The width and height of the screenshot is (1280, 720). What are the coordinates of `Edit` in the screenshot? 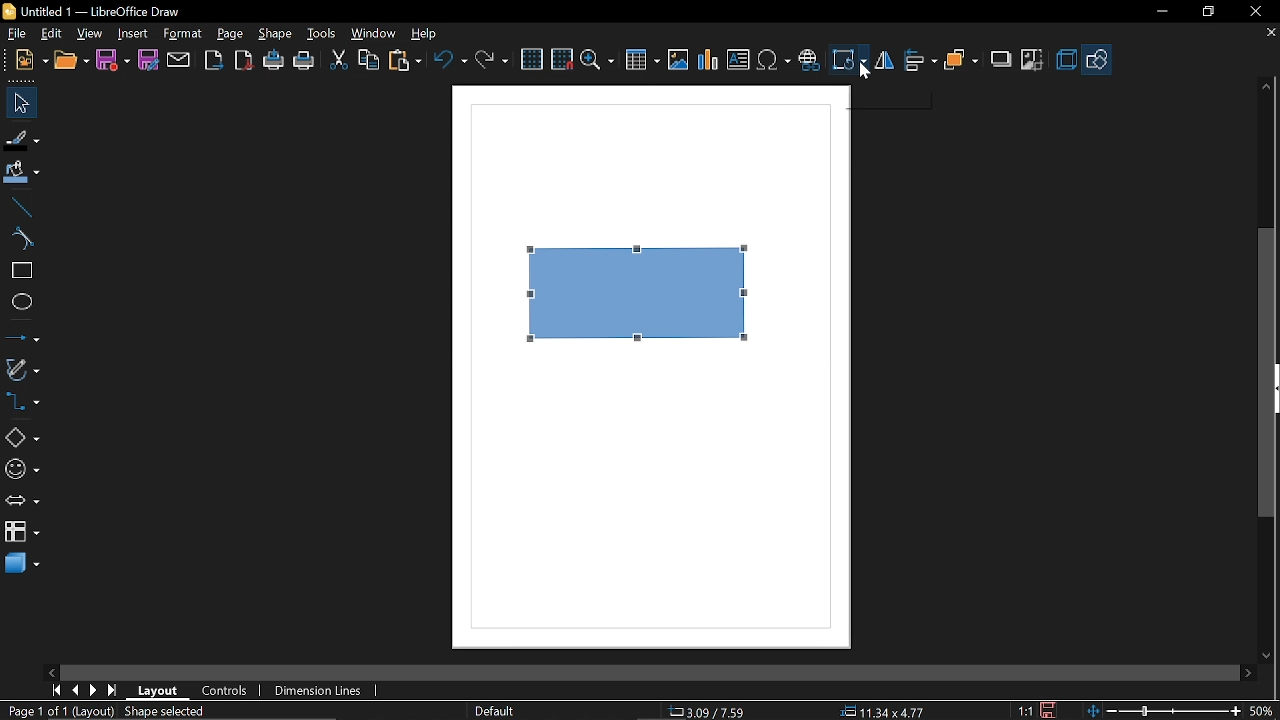 It's located at (53, 32).